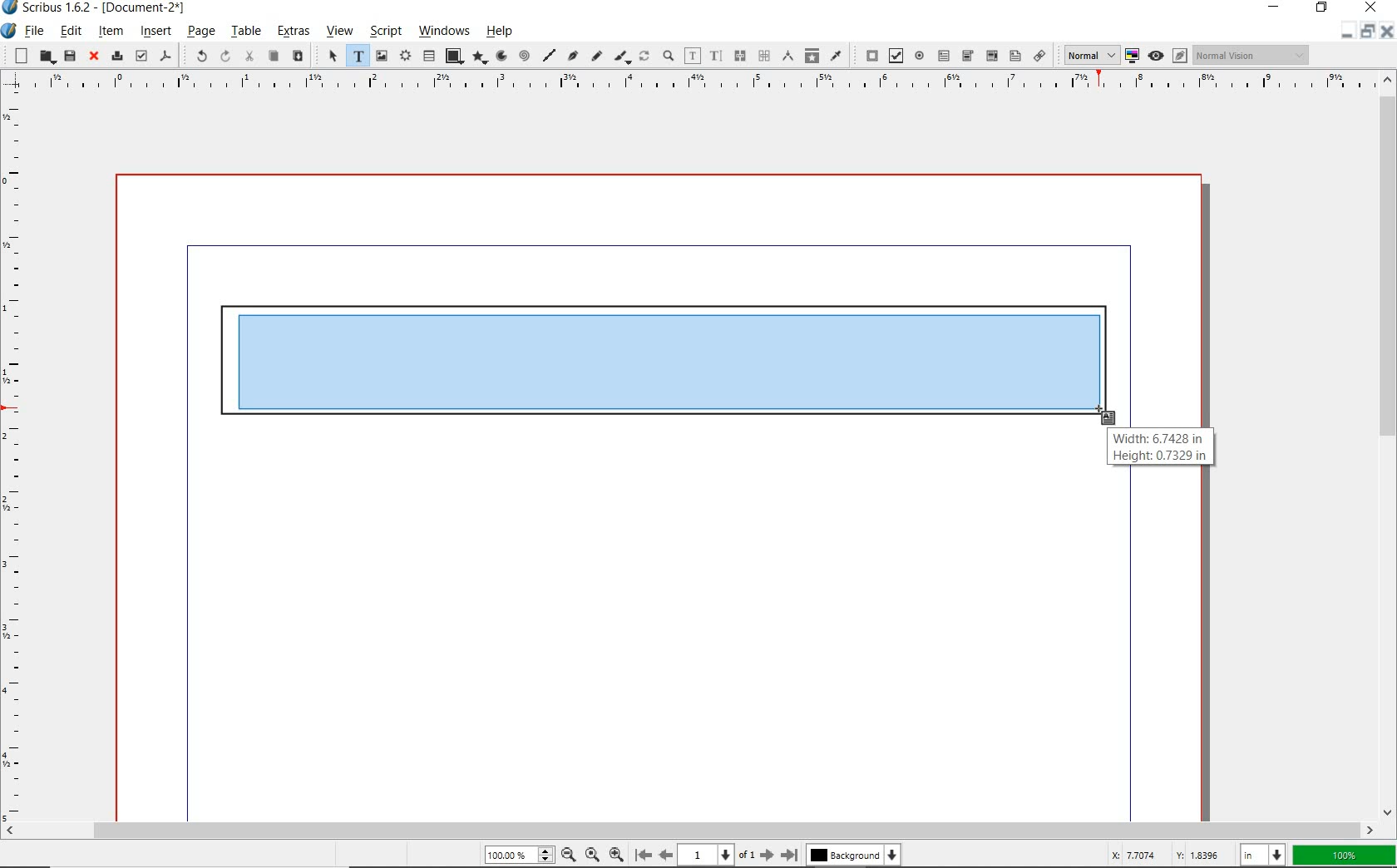  What do you see at coordinates (672, 365) in the screenshot?
I see `drawing text frame` at bounding box center [672, 365].